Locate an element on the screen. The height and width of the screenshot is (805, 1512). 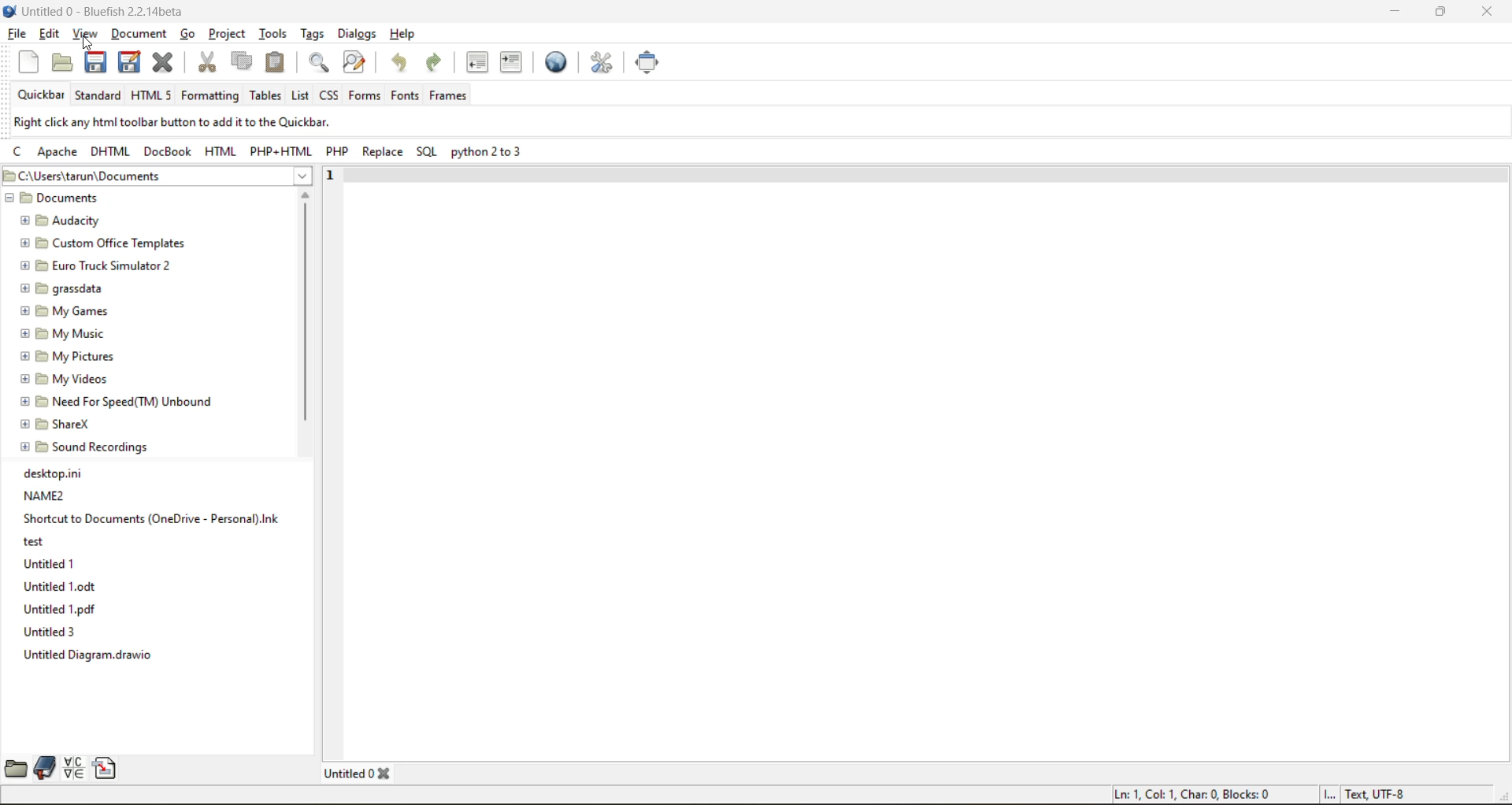
filebrowser is located at coordinates (15, 769).